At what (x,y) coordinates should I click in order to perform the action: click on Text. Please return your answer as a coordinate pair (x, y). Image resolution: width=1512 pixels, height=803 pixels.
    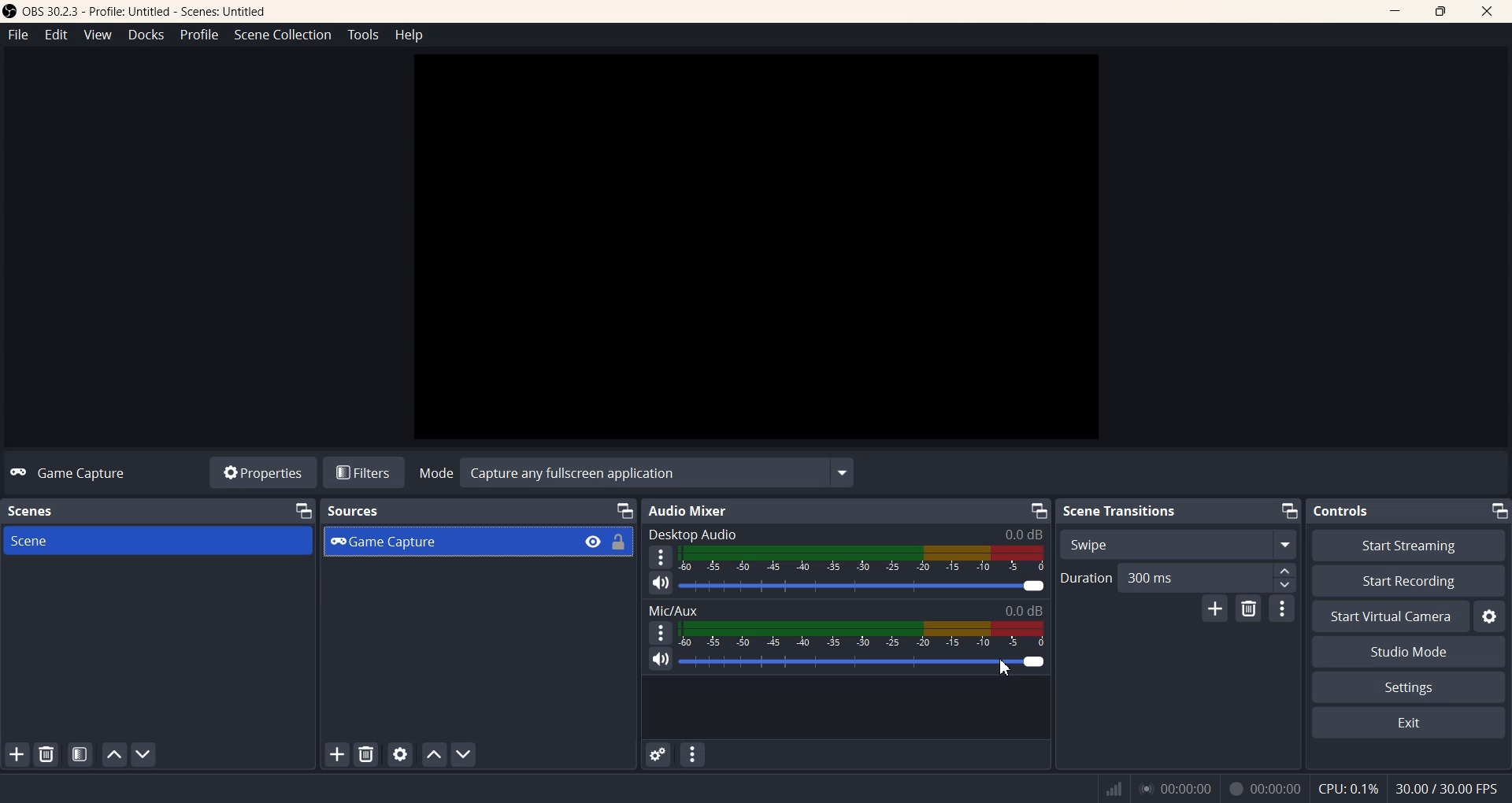
    Looking at the image, I should click on (656, 472).